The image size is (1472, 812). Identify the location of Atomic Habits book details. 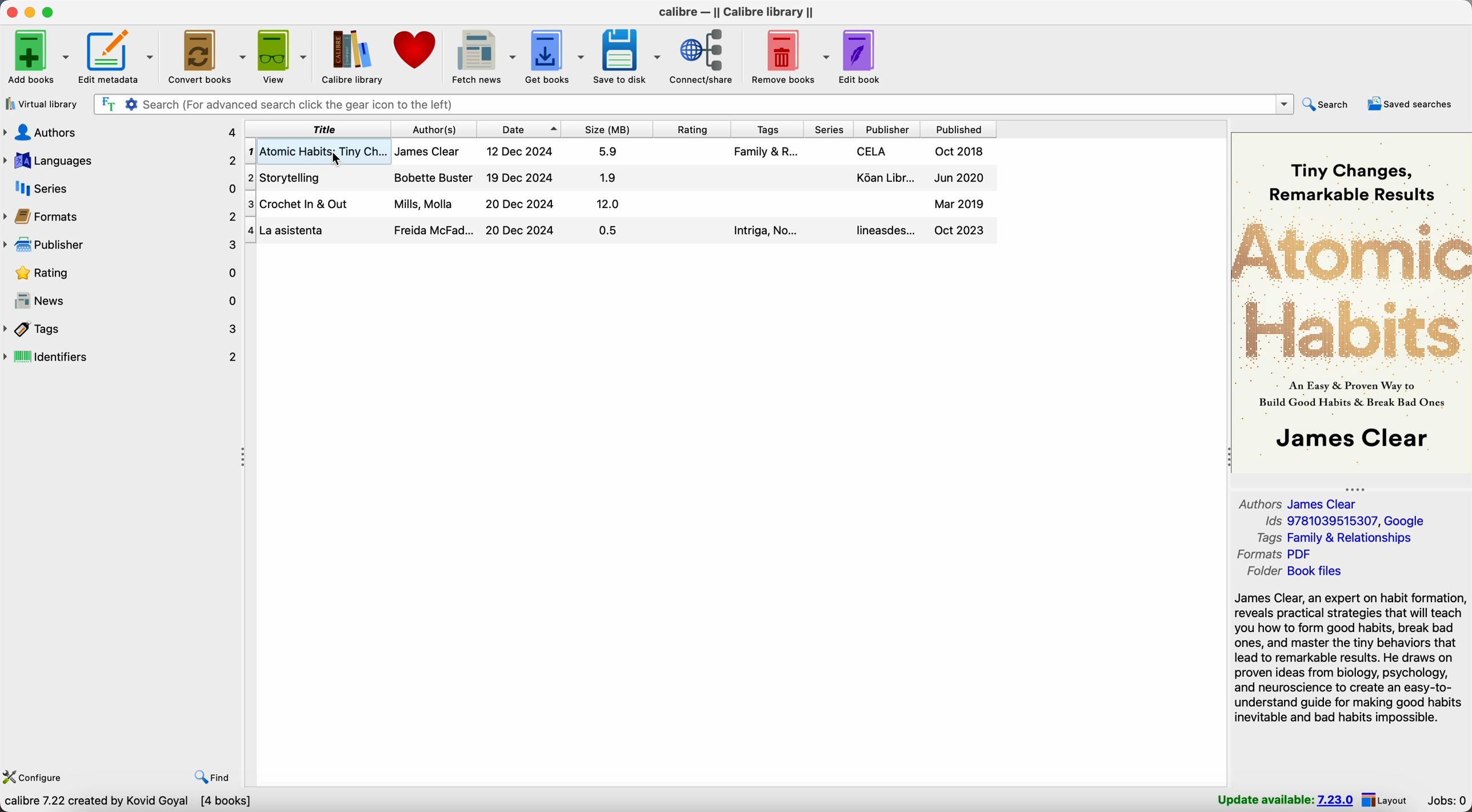
(669, 151).